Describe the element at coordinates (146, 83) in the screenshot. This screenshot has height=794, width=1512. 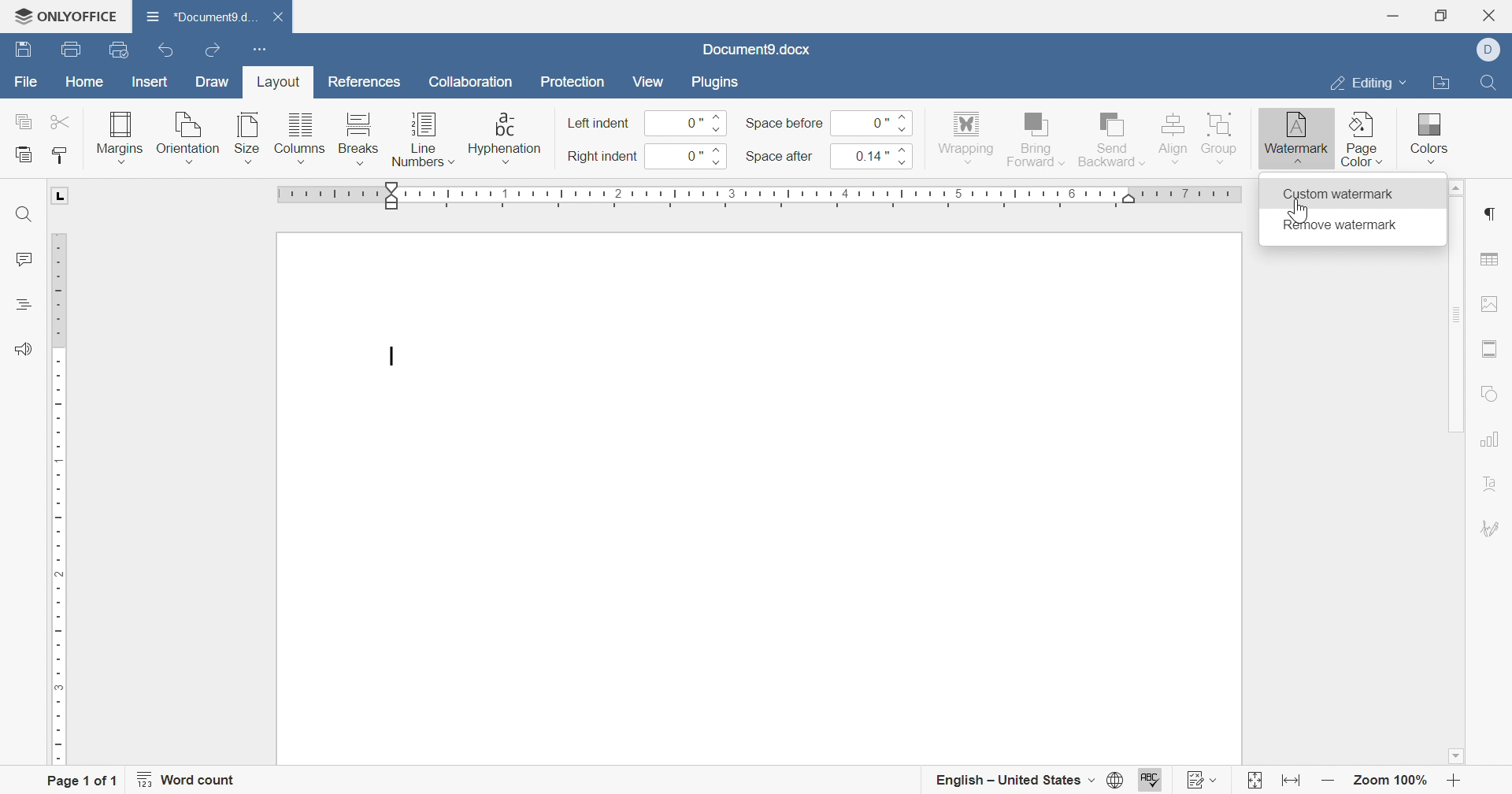
I see `insert` at that location.